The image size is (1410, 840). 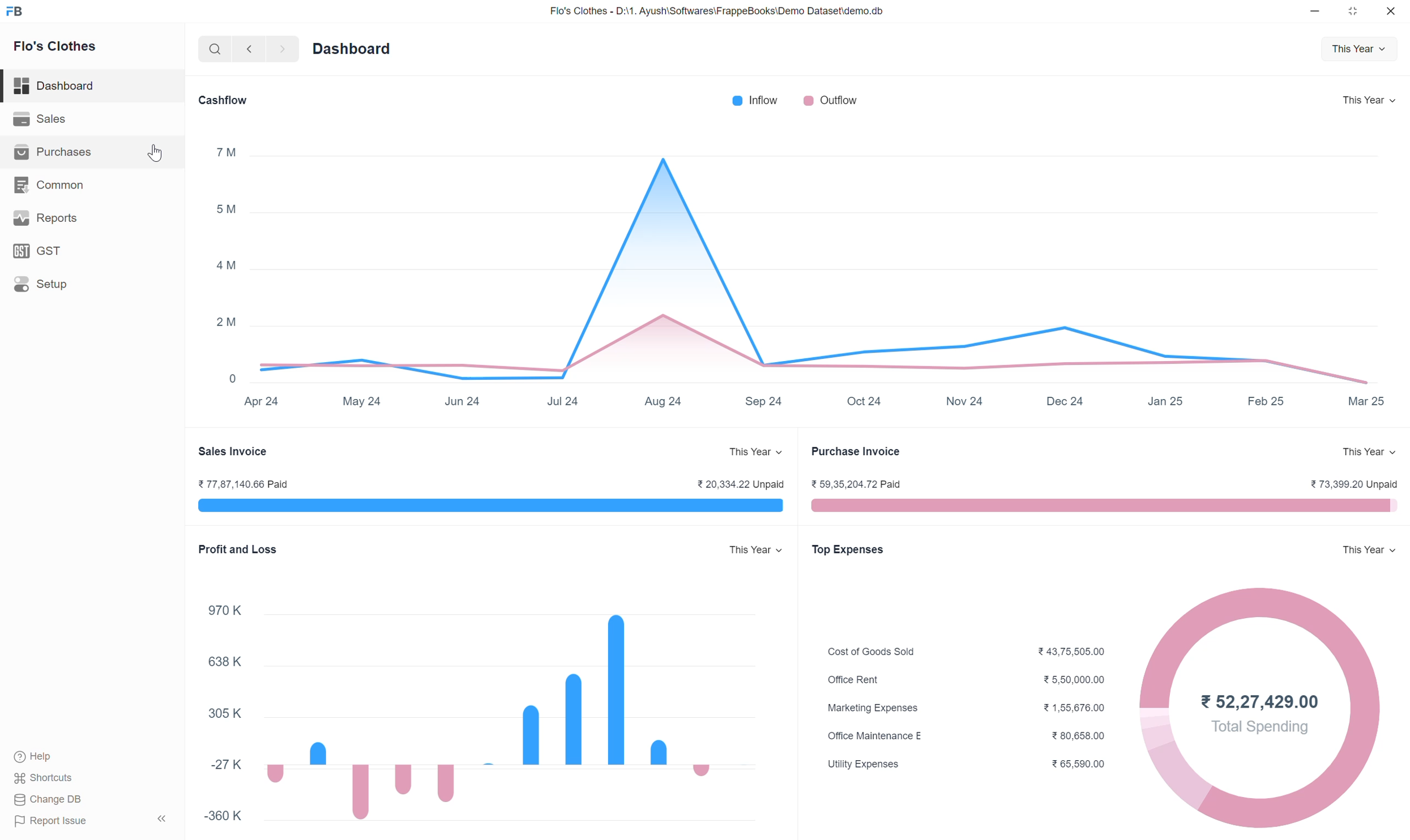 What do you see at coordinates (42, 282) in the screenshot?
I see `Setup` at bounding box center [42, 282].